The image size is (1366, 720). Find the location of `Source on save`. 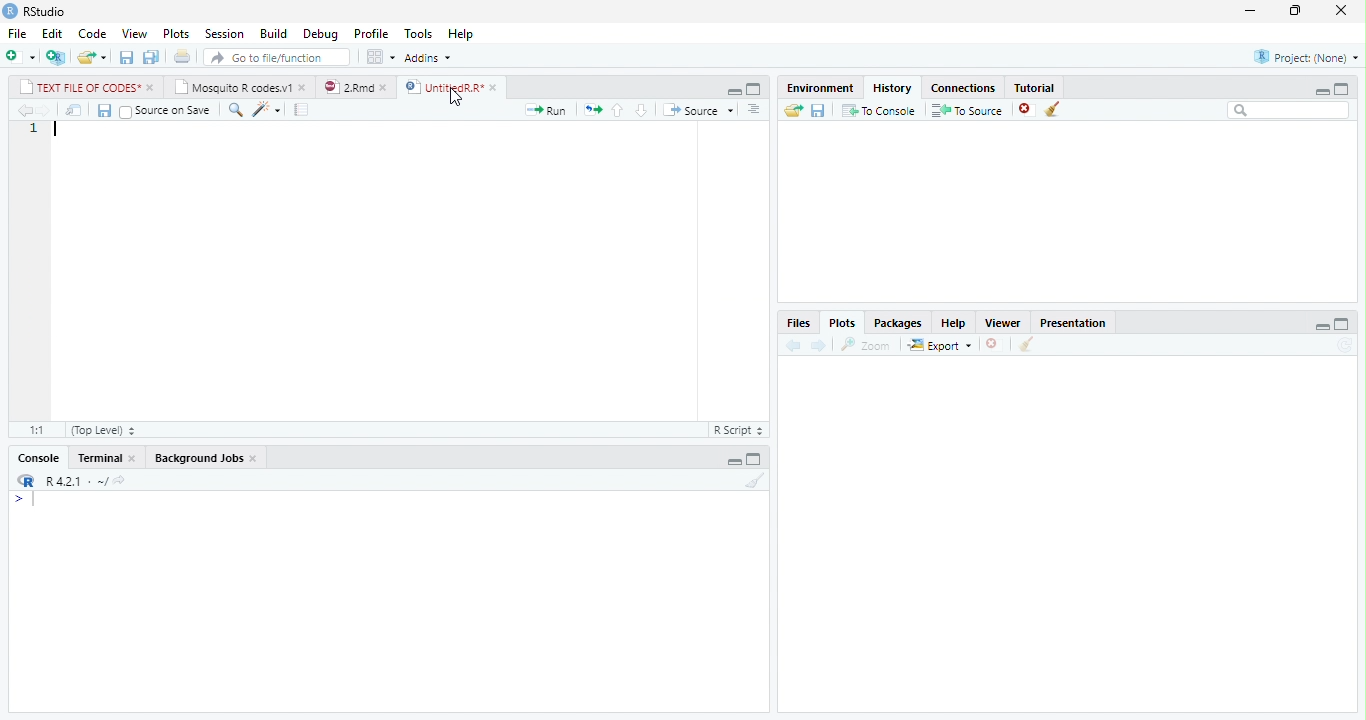

Source on save is located at coordinates (167, 111).